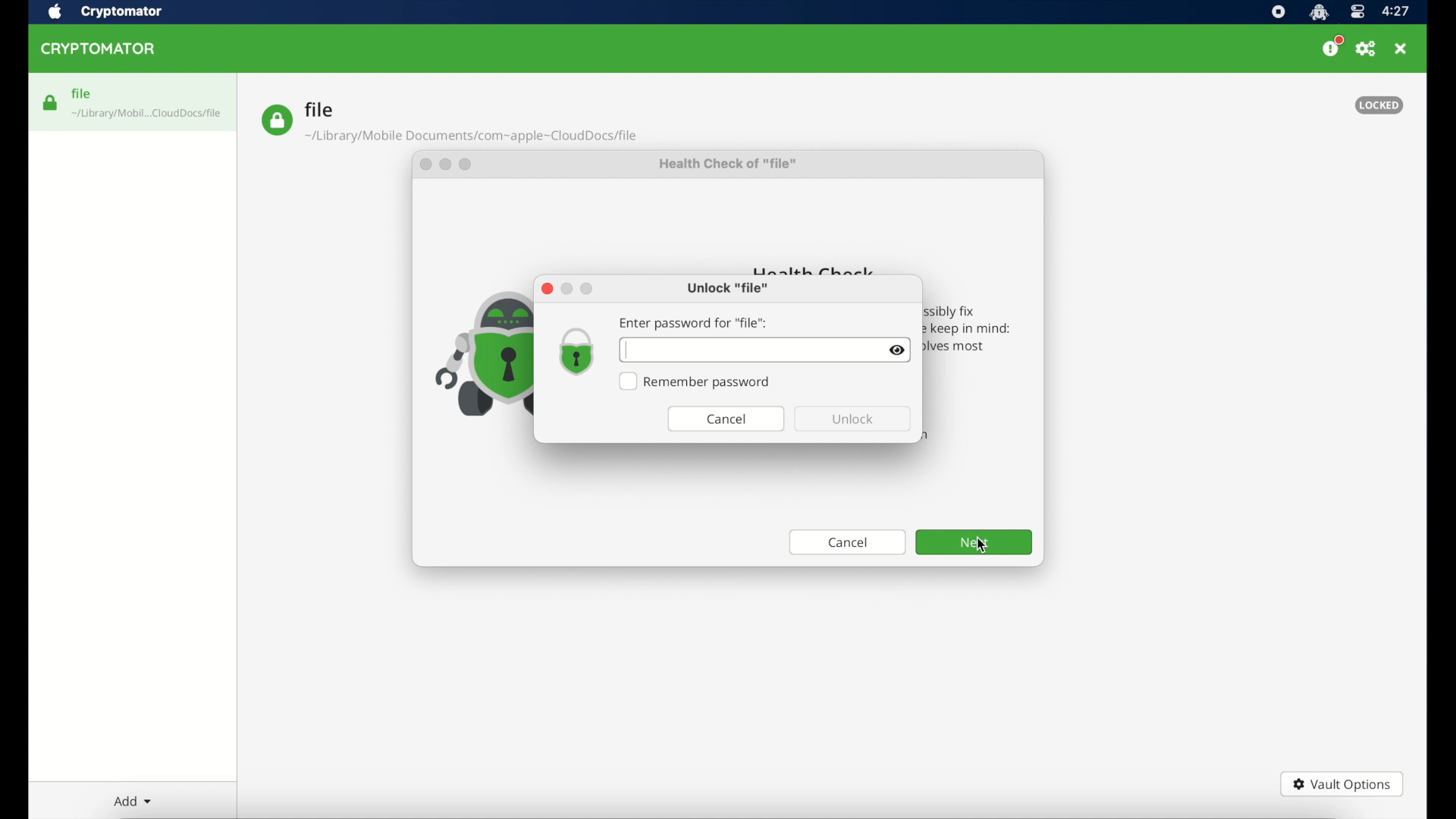 The width and height of the screenshot is (1456, 819). What do you see at coordinates (447, 166) in the screenshot?
I see `minimize` at bounding box center [447, 166].